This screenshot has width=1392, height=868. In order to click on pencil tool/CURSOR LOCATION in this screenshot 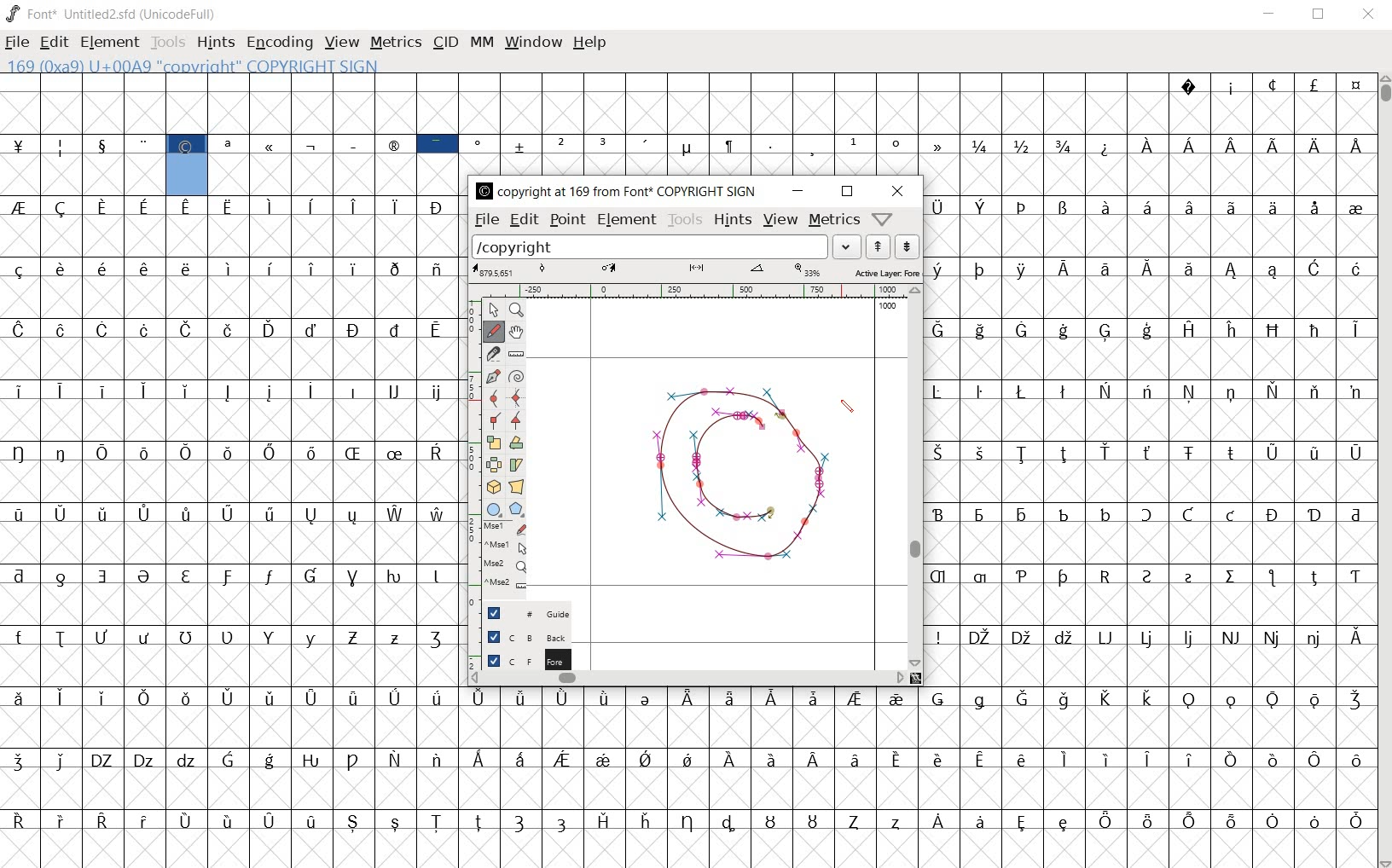, I will do `click(848, 408)`.